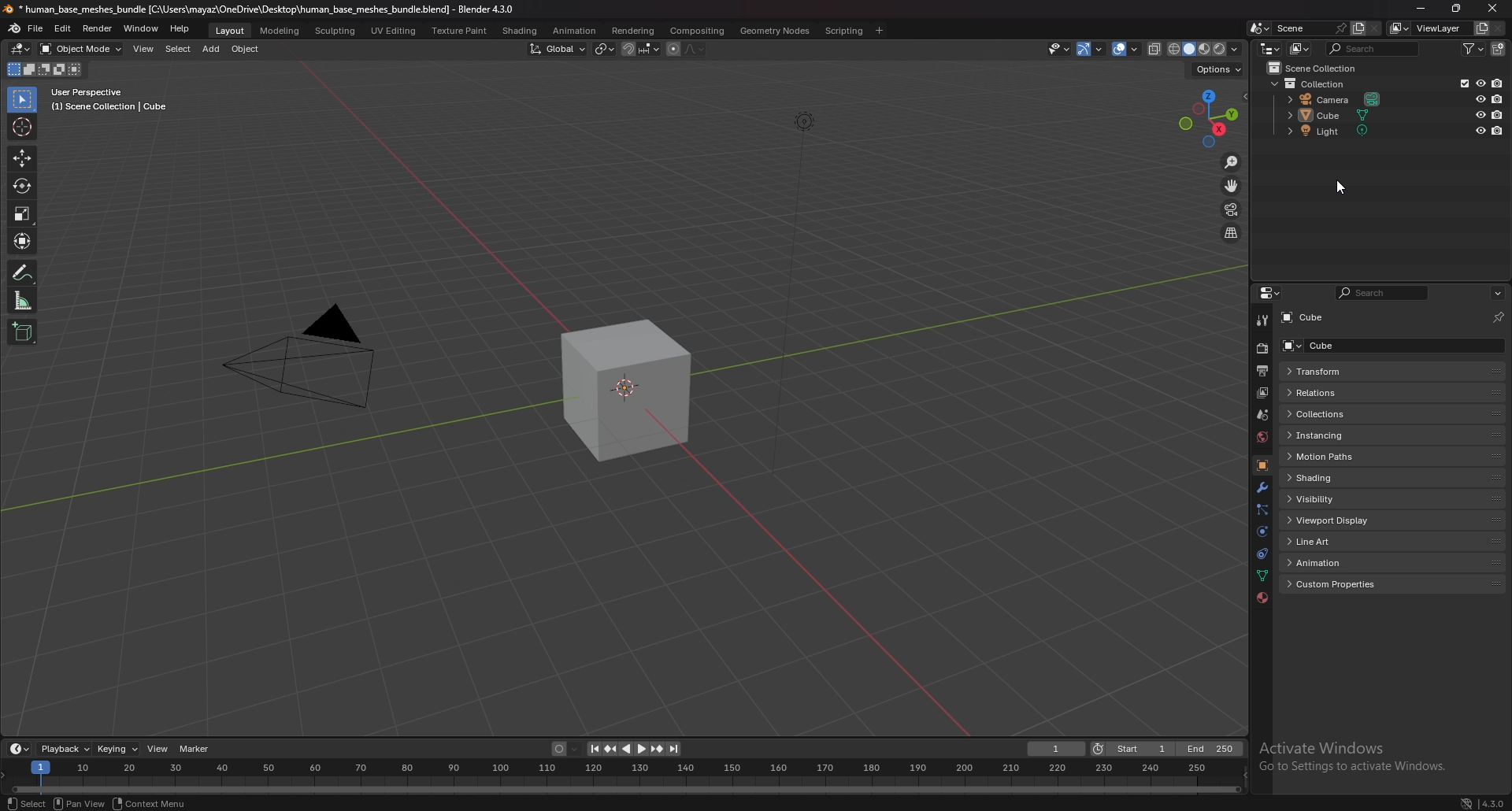 The width and height of the screenshot is (1512, 811). I want to click on constraints, so click(1261, 554).